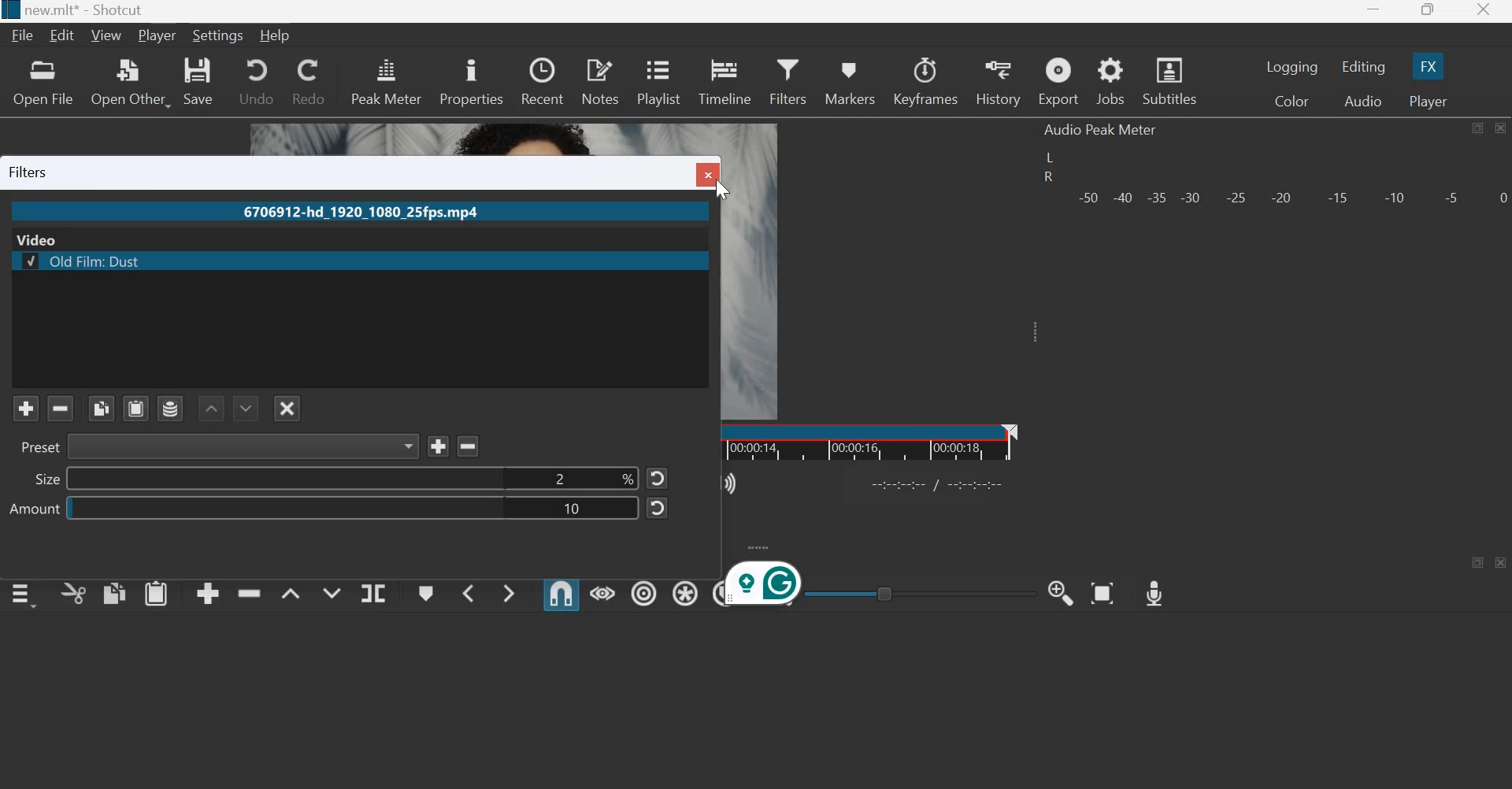  I want to click on markers, so click(848, 83).